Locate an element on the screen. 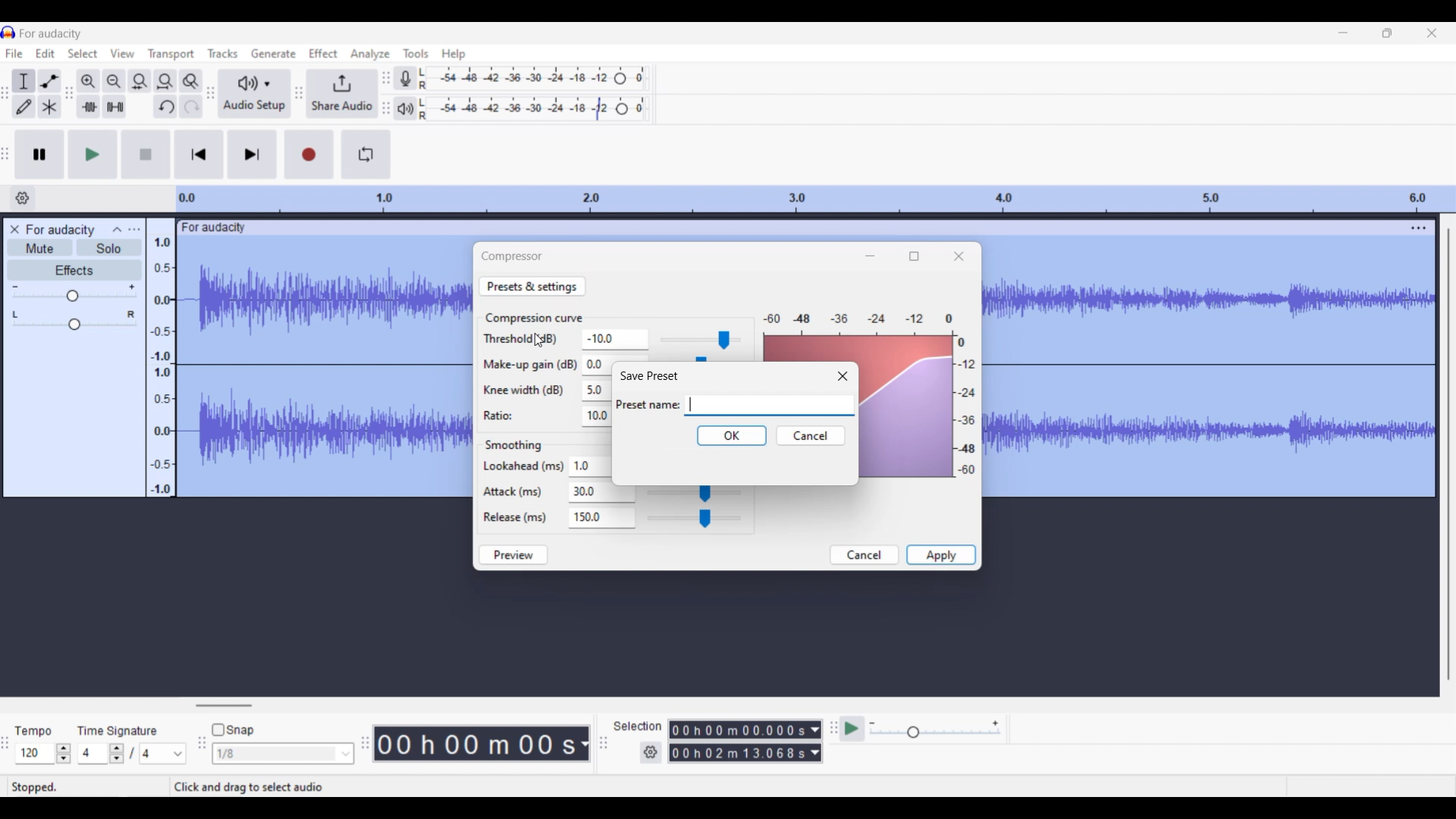 This screenshot has width=1456, height=819. Text box for release  is located at coordinates (605, 517).